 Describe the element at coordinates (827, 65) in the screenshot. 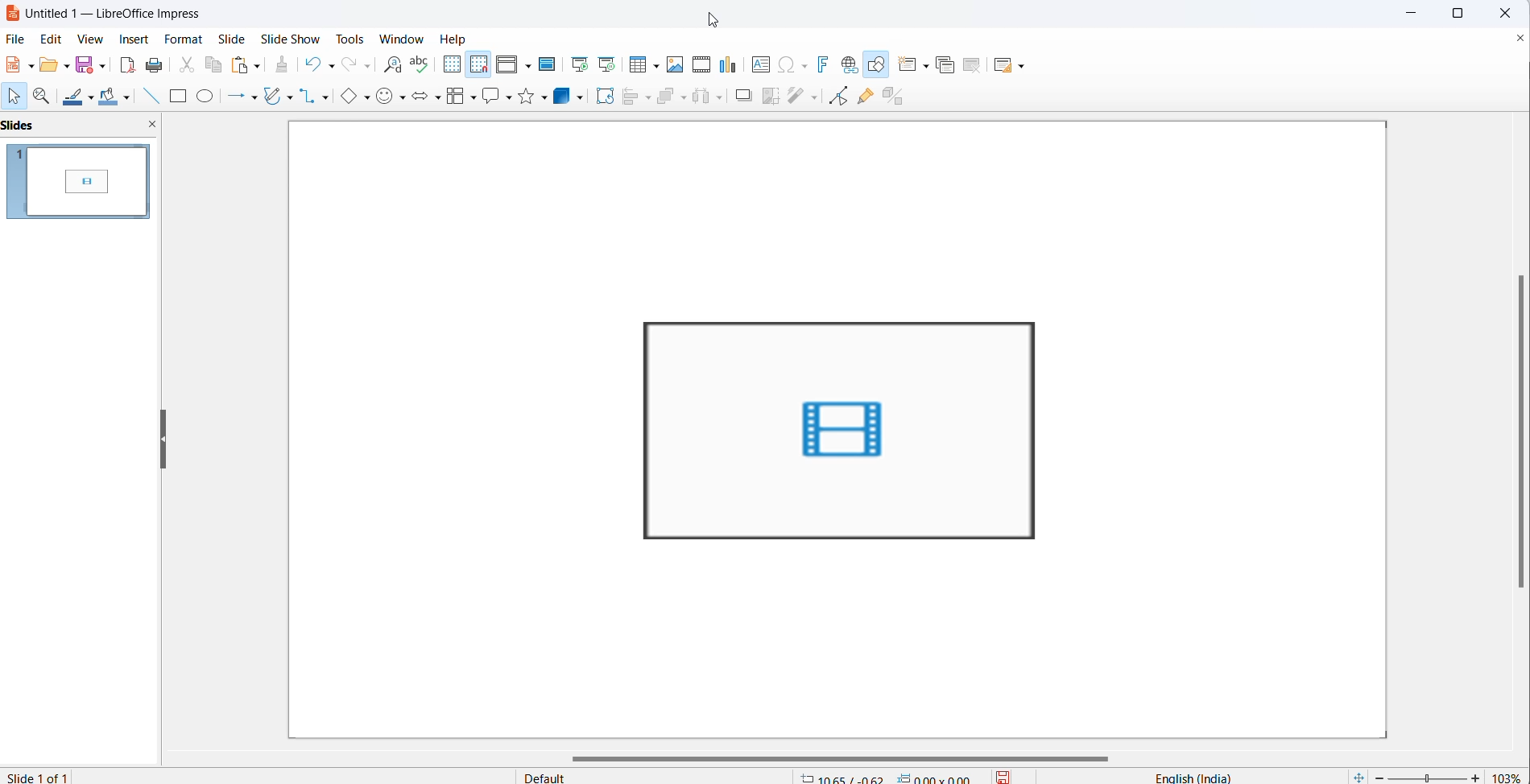

I see `insert fontwork text` at that location.